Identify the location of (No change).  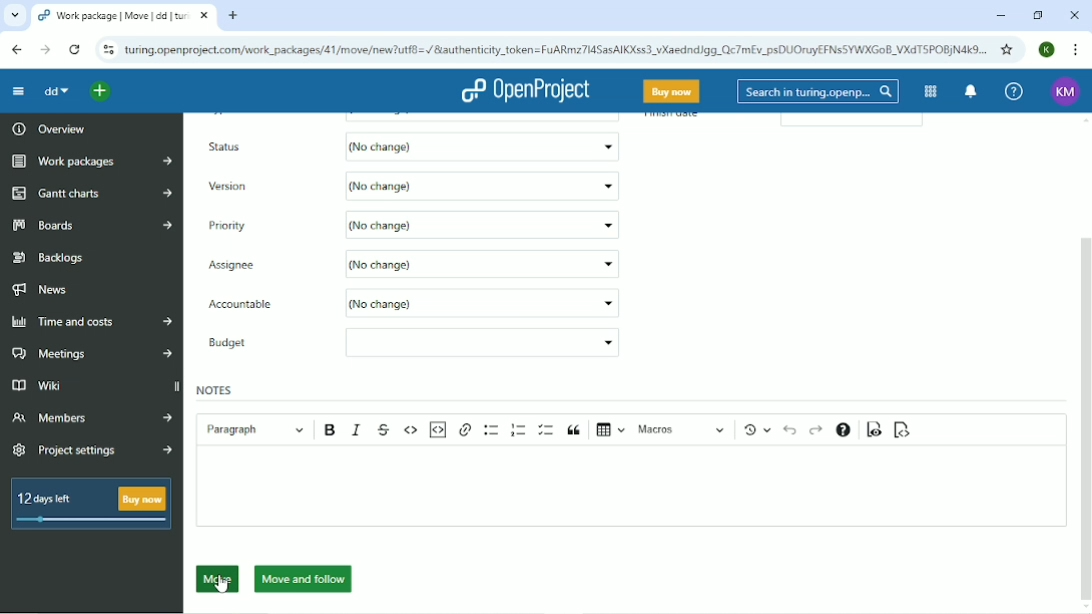
(480, 303).